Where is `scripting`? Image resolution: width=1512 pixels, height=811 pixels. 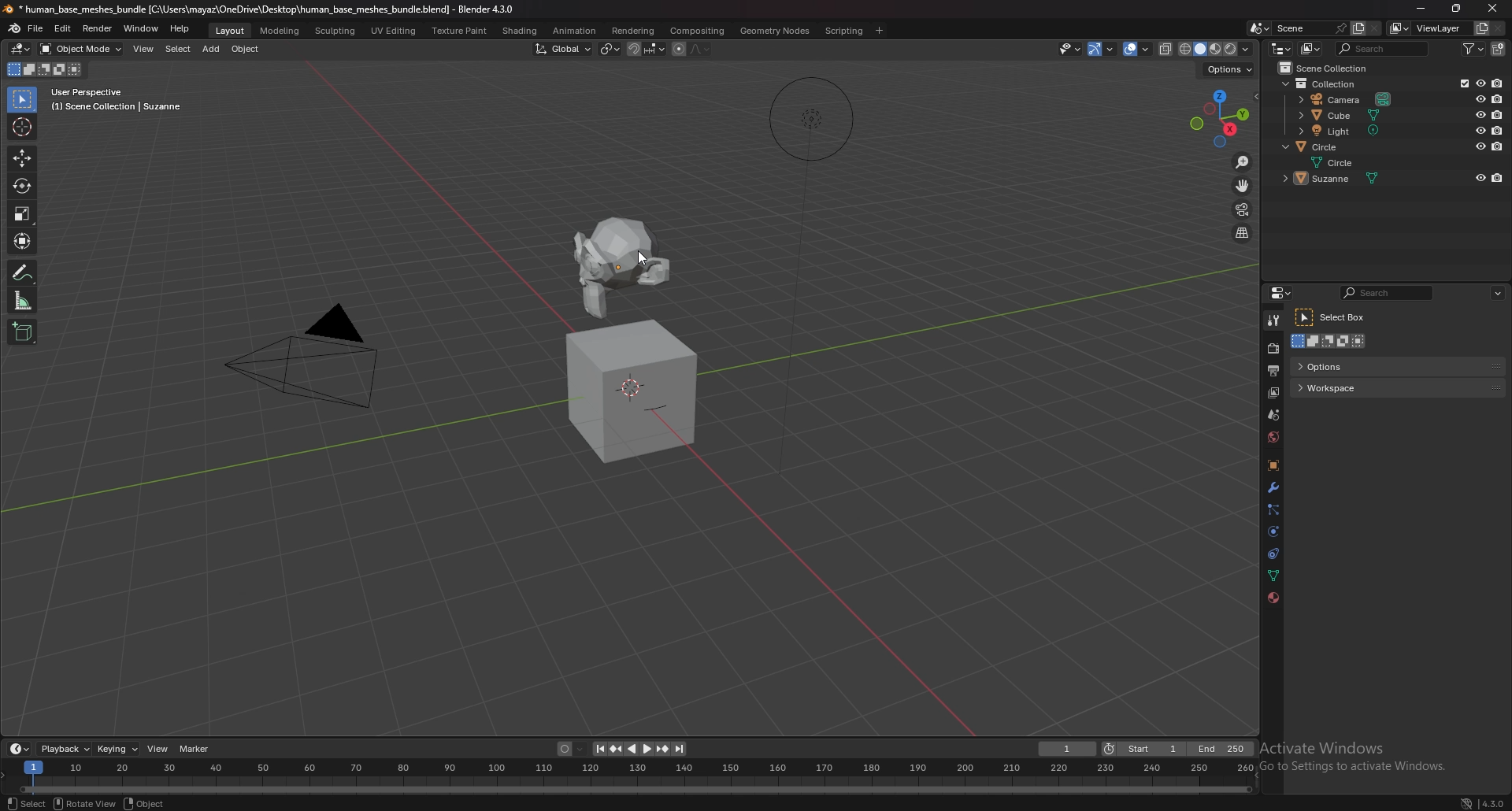
scripting is located at coordinates (843, 31).